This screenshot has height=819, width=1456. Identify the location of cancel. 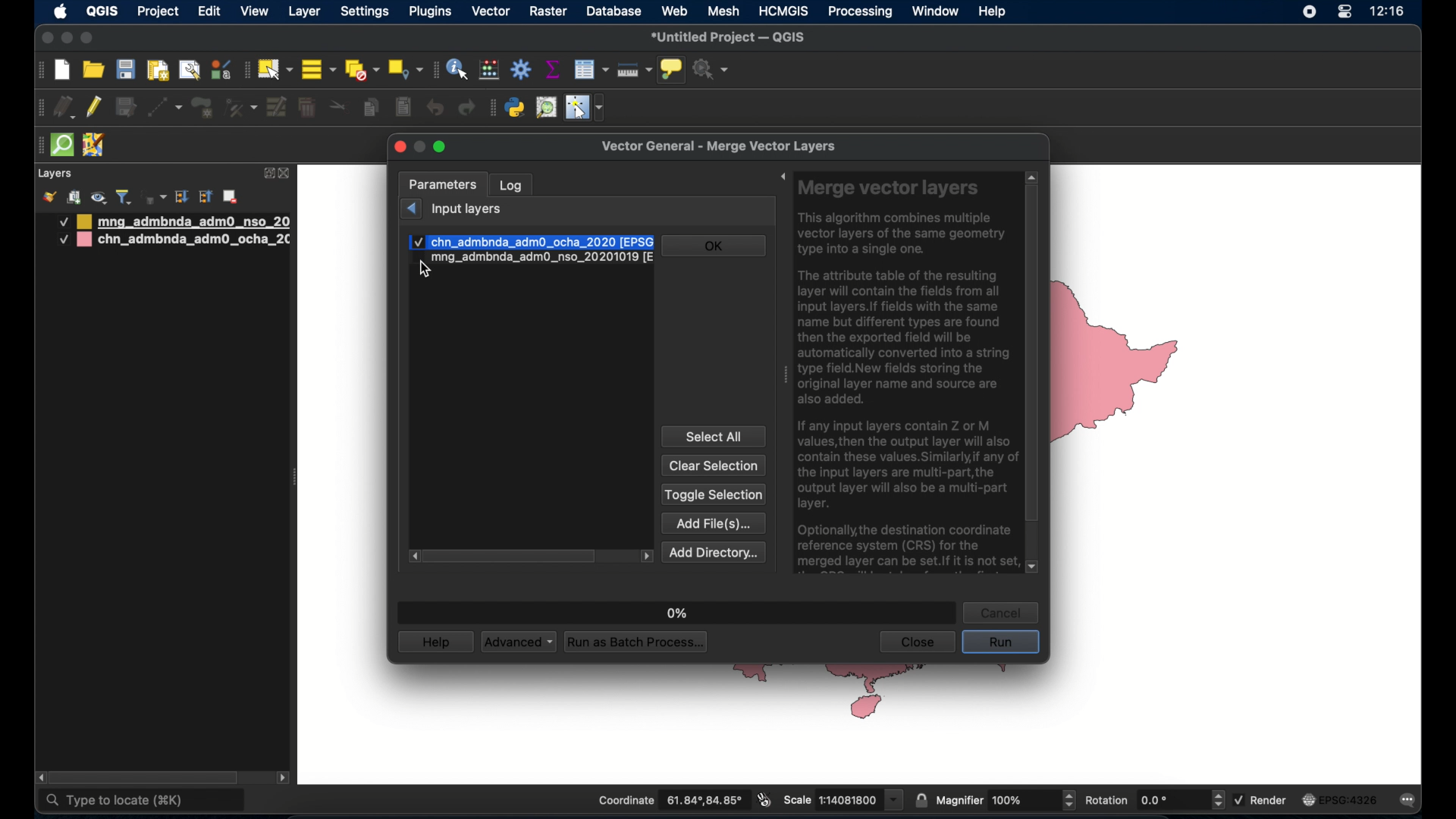
(1003, 612).